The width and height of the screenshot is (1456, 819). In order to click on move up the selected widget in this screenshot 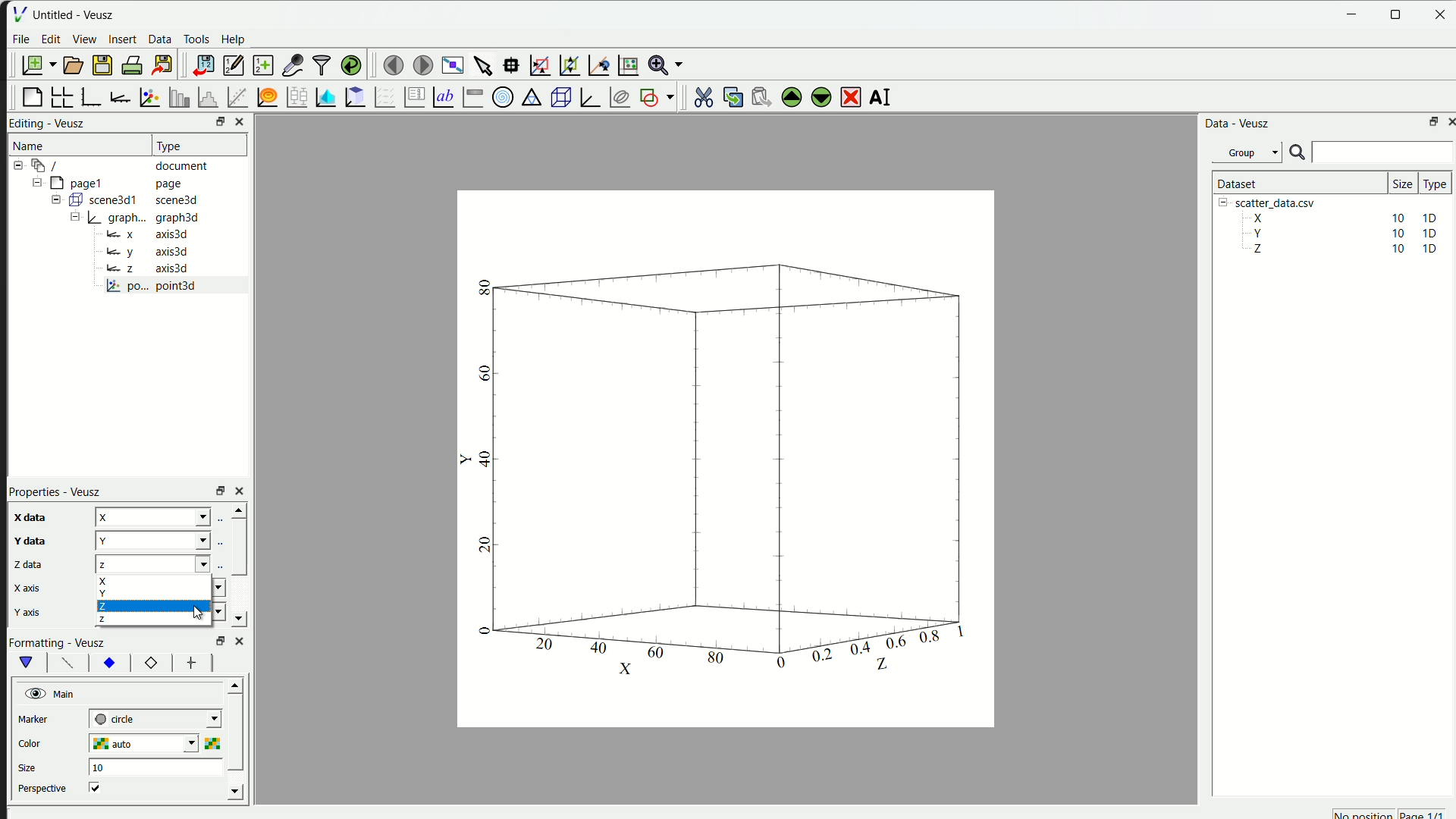, I will do `click(790, 96)`.